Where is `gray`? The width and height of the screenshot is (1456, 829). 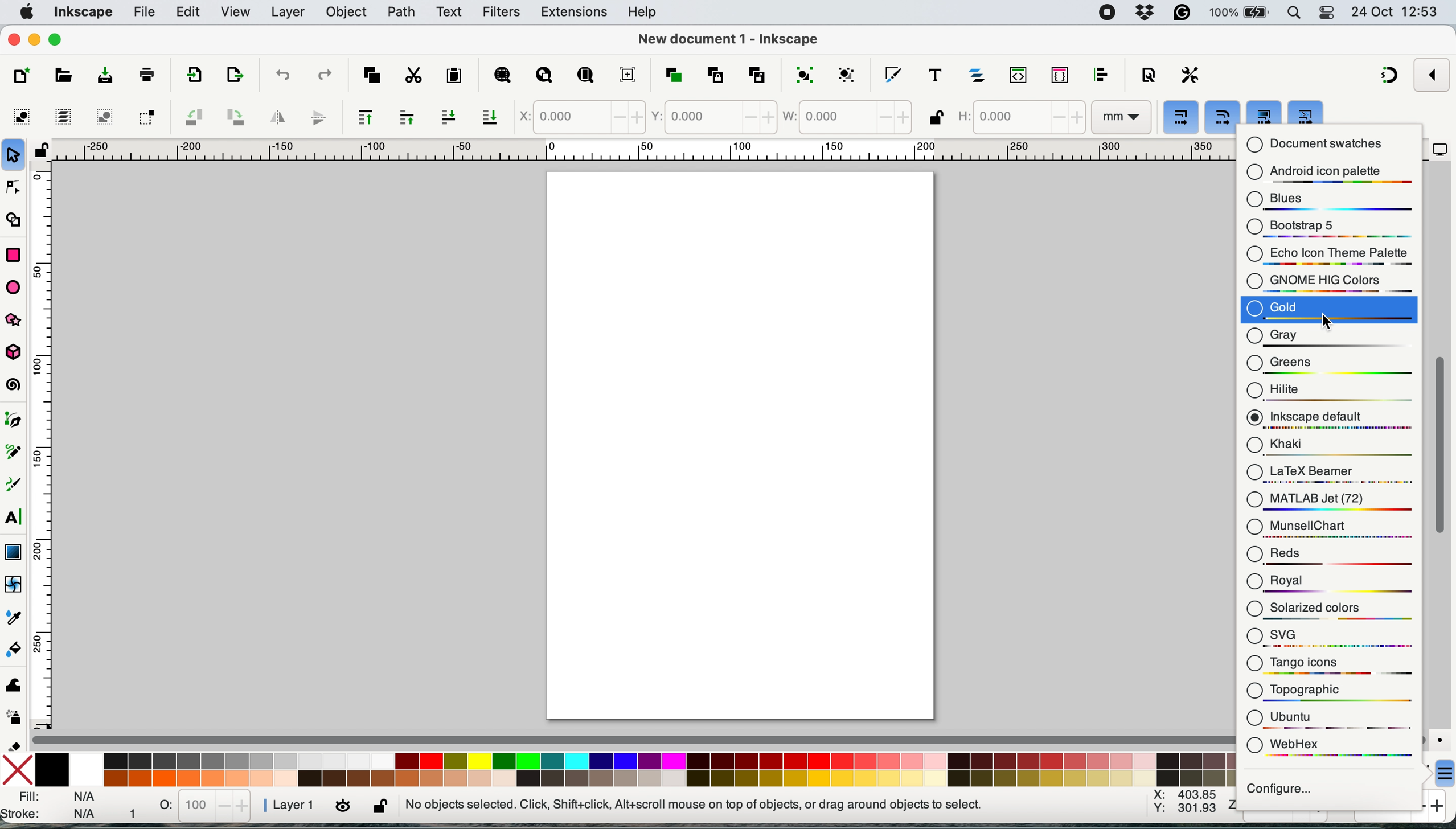 gray is located at coordinates (1324, 338).